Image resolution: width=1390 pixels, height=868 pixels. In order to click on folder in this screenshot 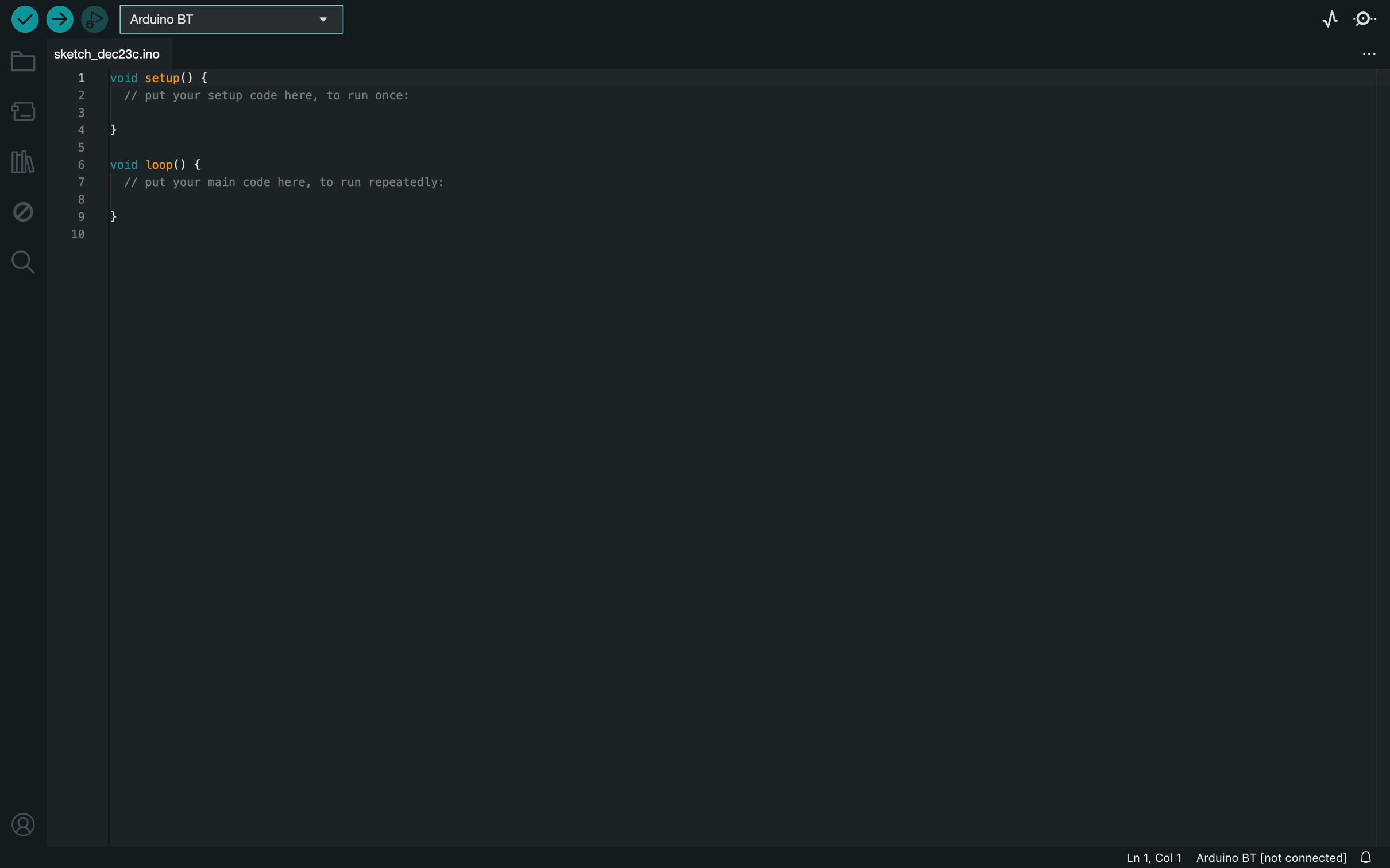, I will do `click(23, 64)`.